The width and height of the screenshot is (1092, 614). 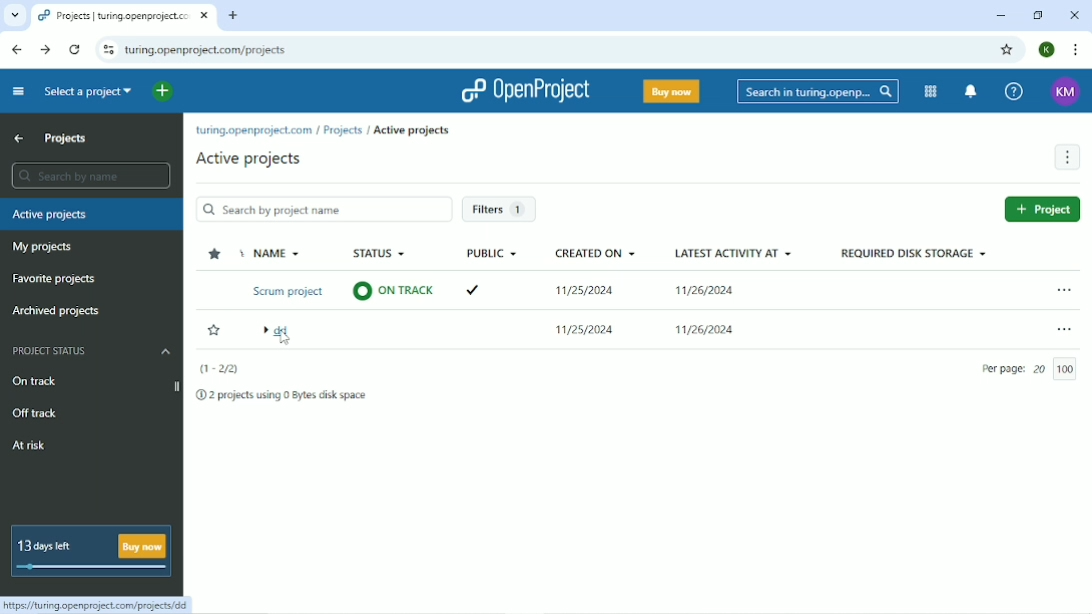 I want to click on projects|turing.openproject.com, so click(x=122, y=15).